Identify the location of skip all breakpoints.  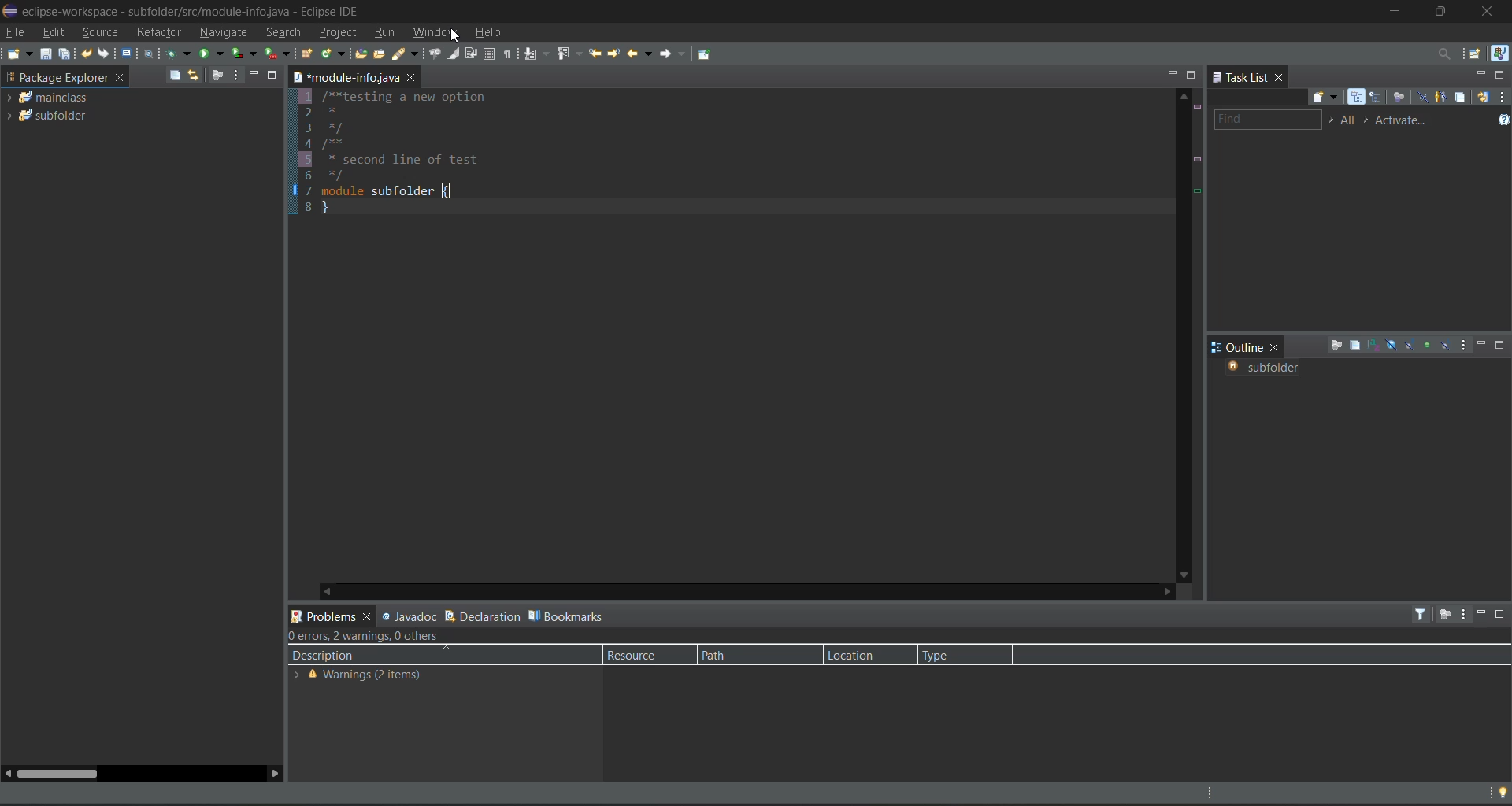
(150, 54).